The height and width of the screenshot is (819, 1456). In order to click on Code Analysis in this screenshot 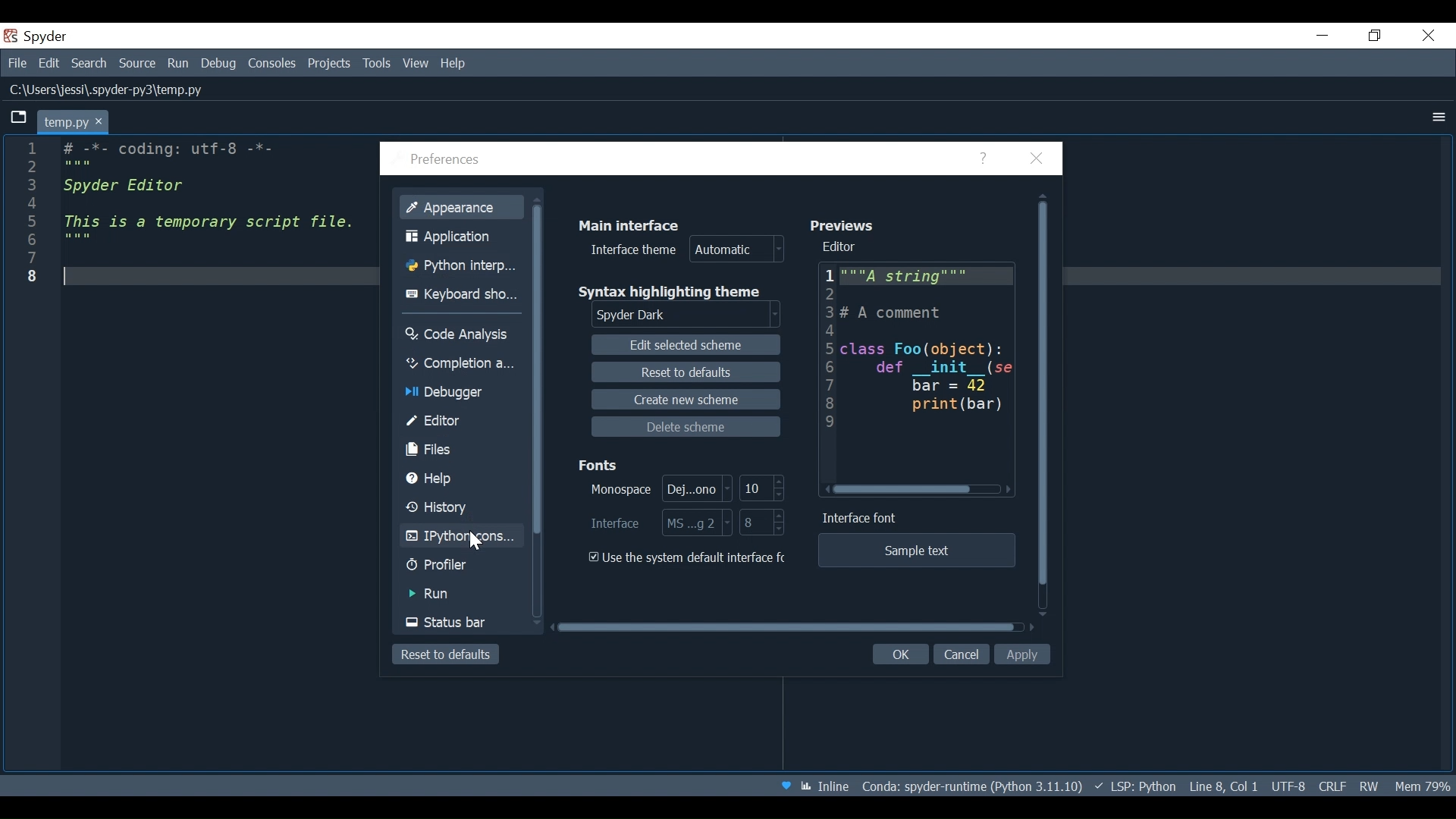, I will do `click(459, 334)`.